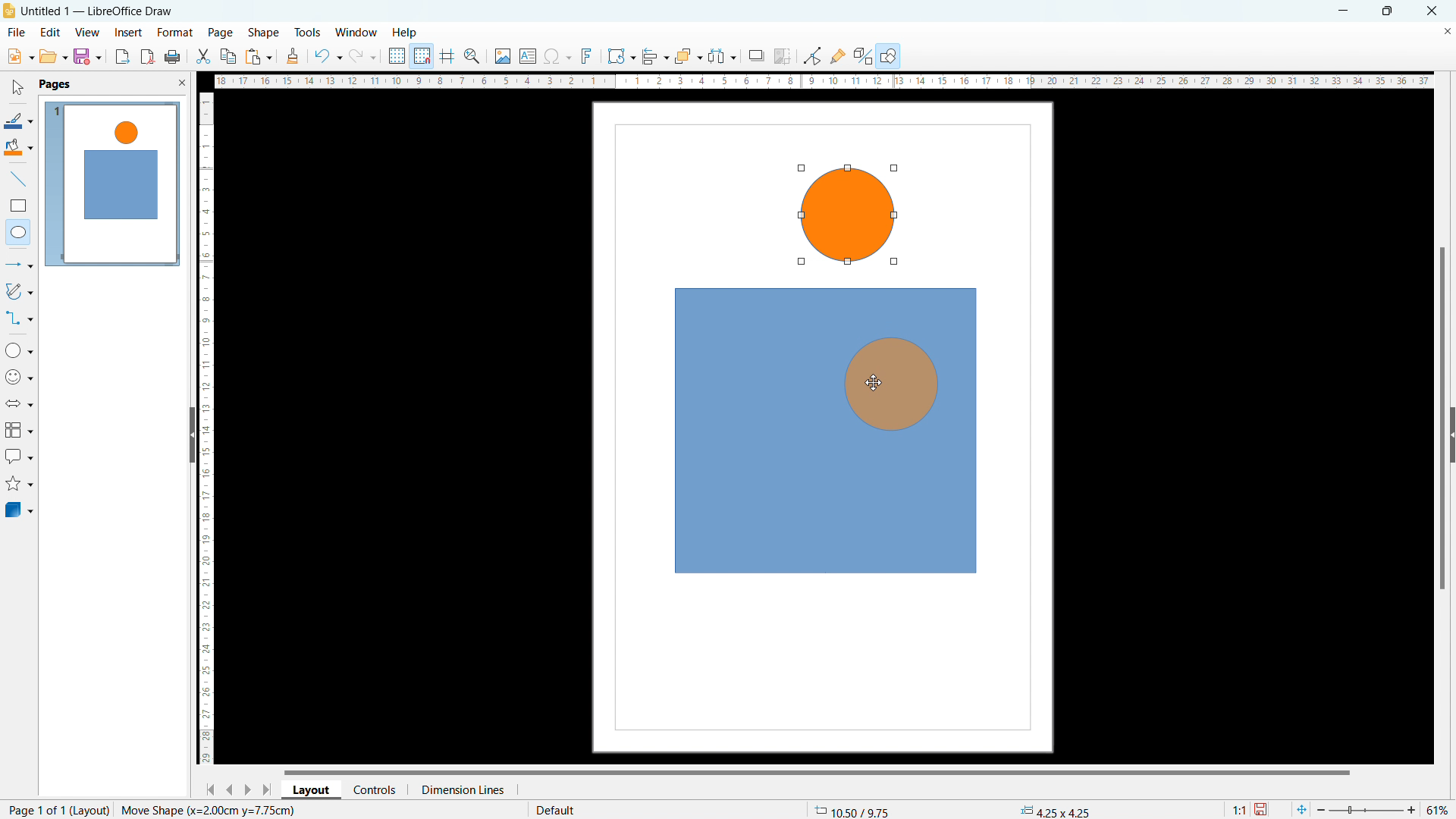 Image resolution: width=1456 pixels, height=819 pixels. I want to click on insert fontwork text, so click(587, 55).